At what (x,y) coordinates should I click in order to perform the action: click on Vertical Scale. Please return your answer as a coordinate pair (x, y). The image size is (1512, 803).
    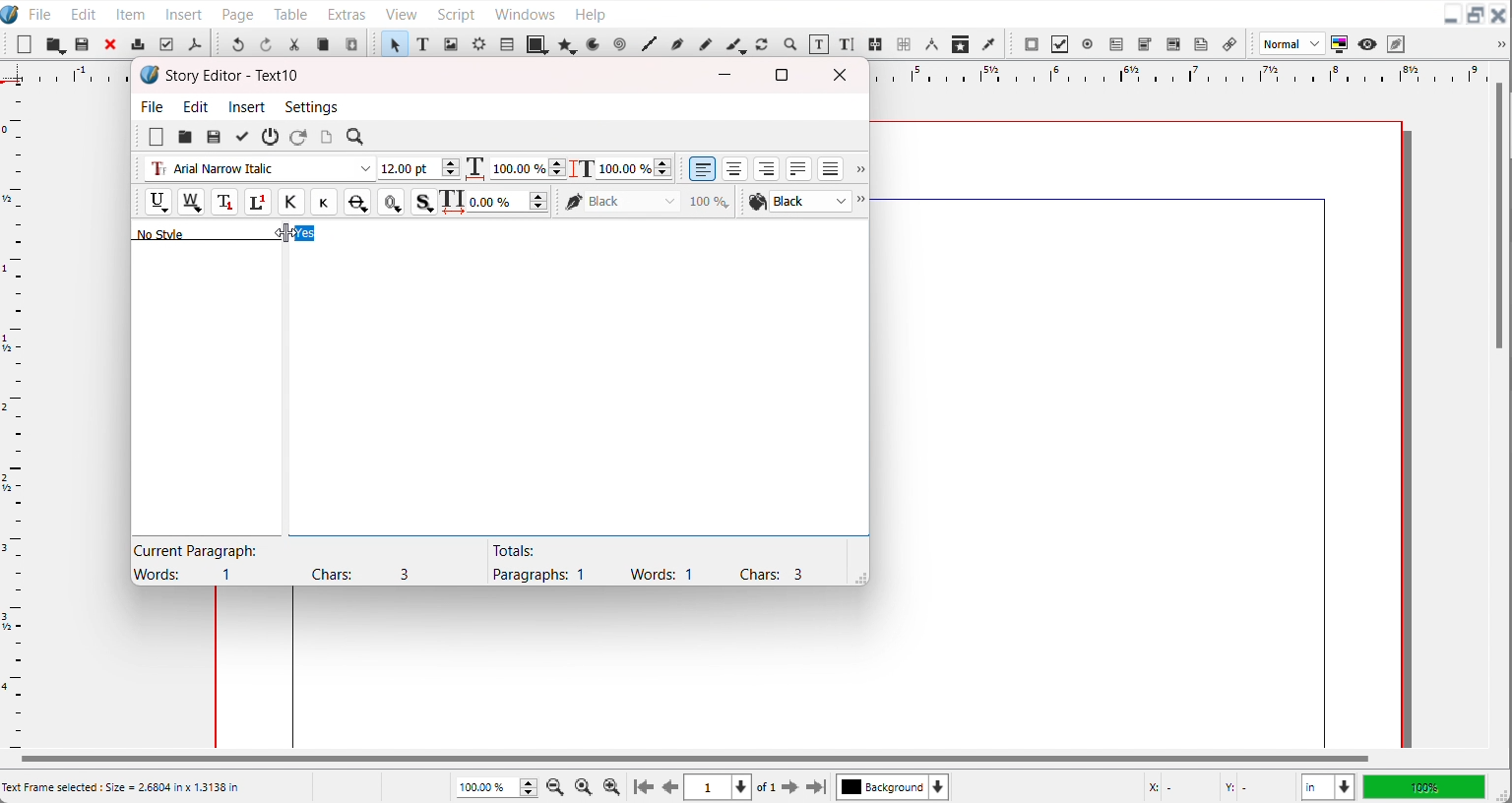
    Looking at the image, I should click on (14, 413).